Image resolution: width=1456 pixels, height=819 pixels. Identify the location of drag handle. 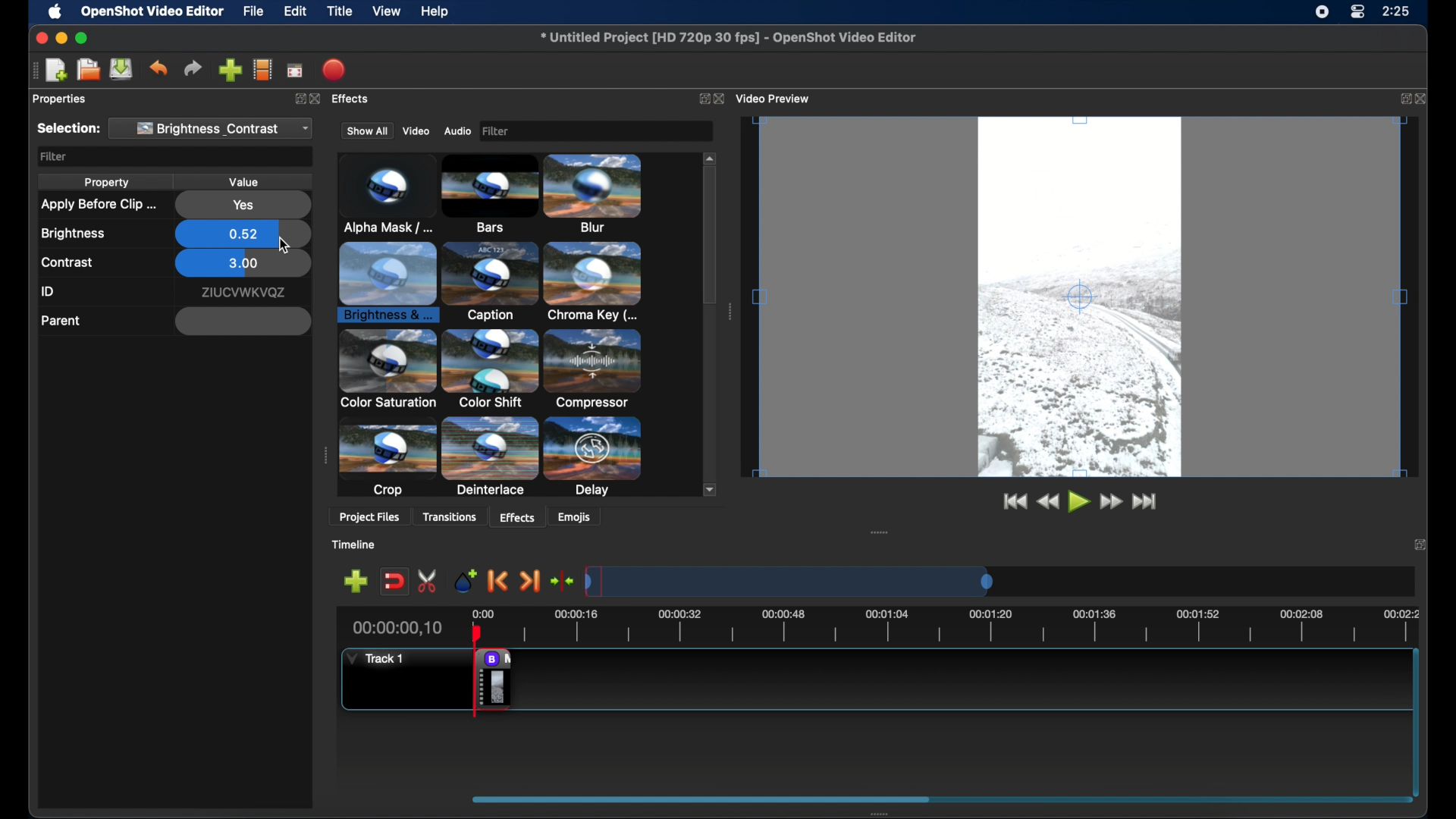
(730, 310).